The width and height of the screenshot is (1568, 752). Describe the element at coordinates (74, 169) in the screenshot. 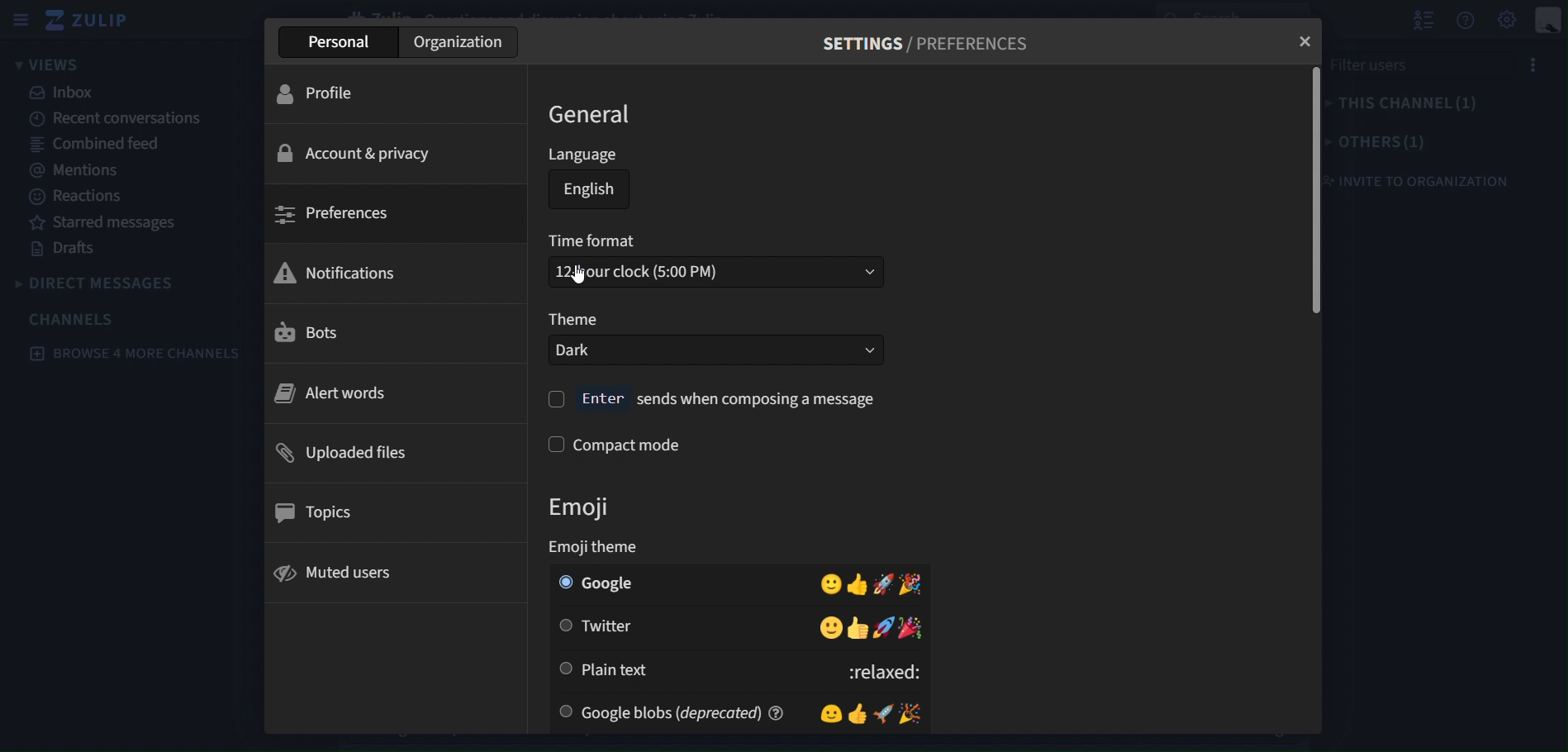

I see `mentions` at that location.